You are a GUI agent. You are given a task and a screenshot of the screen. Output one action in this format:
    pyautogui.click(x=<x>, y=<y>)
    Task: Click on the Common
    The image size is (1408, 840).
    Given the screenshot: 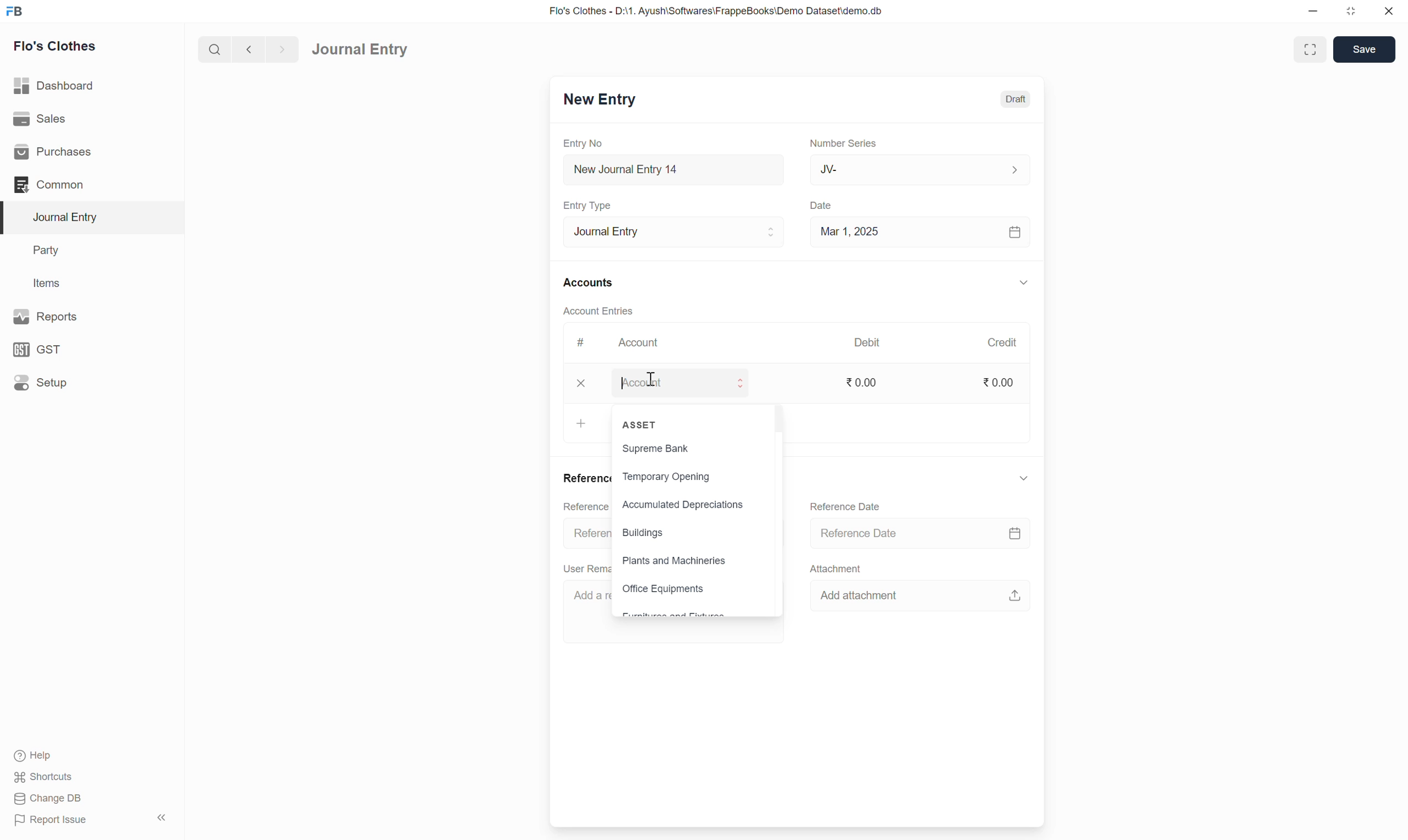 What is the action you would take?
    pyautogui.click(x=50, y=185)
    